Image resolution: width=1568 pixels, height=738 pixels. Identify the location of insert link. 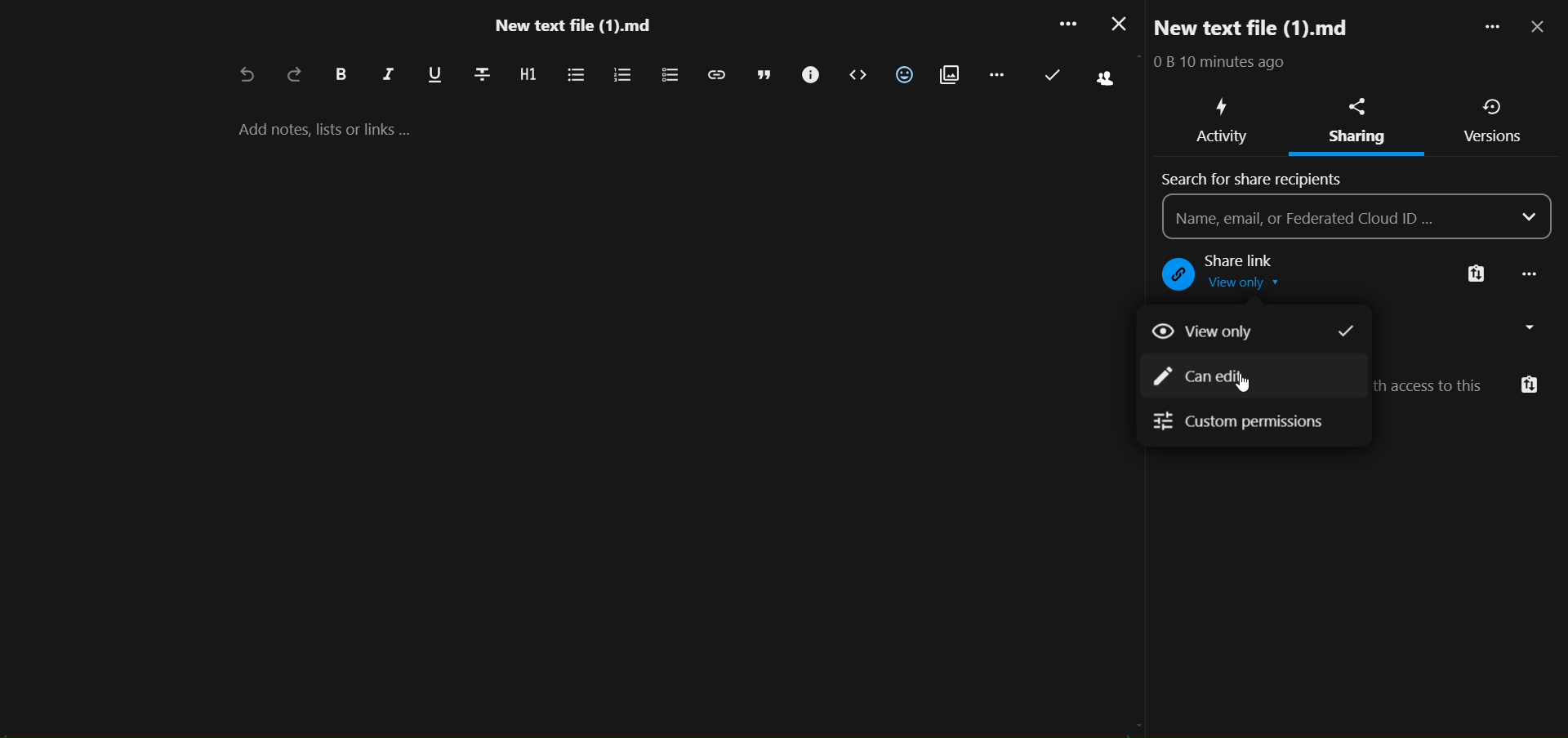
(715, 74).